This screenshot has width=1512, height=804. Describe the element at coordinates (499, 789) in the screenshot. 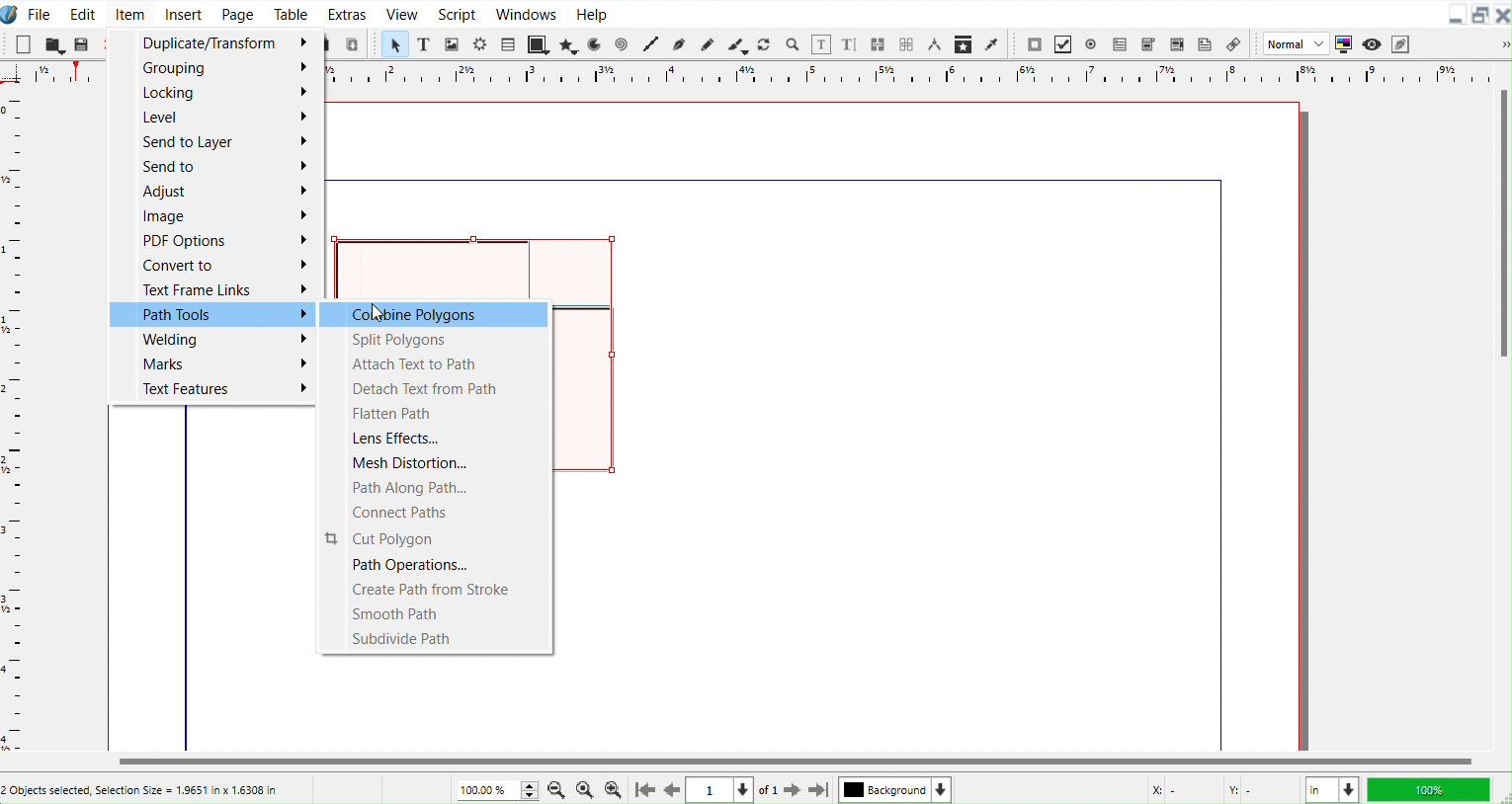

I see `Current Zoom level` at that location.